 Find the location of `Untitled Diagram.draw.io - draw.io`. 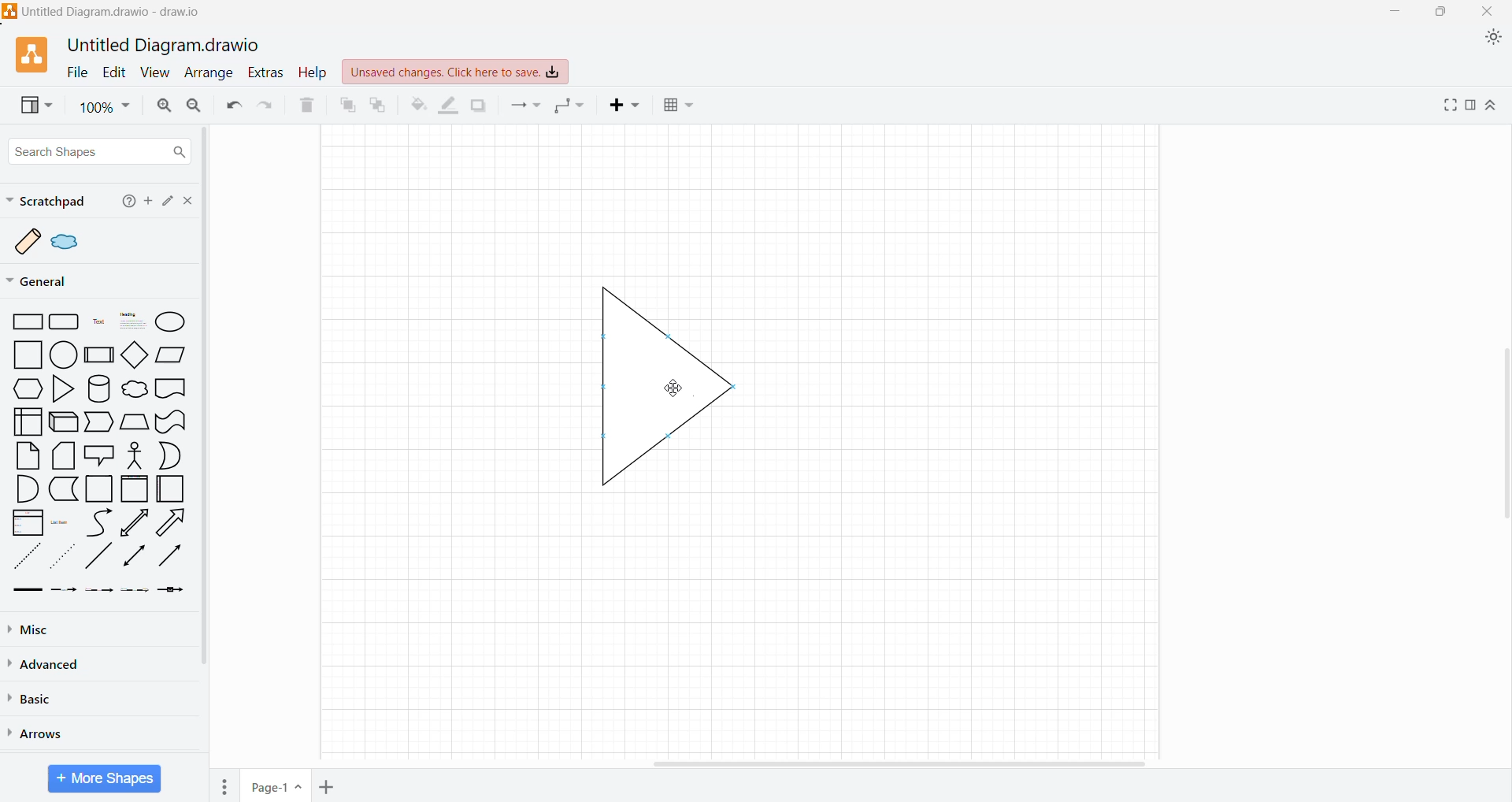

Untitled Diagram.draw.io - draw.io is located at coordinates (106, 11).